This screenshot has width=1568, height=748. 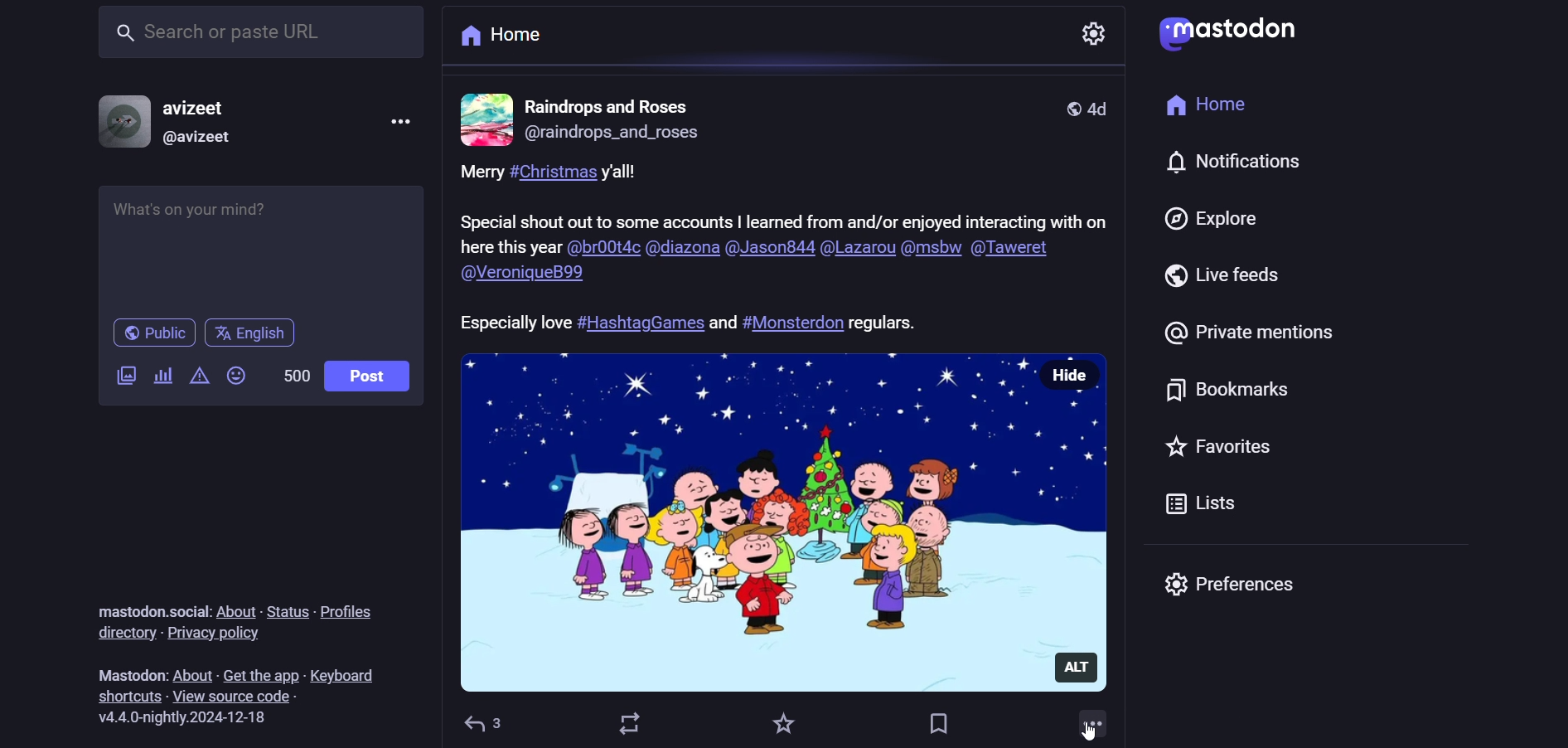 What do you see at coordinates (1236, 585) in the screenshot?
I see `preferences` at bounding box center [1236, 585].